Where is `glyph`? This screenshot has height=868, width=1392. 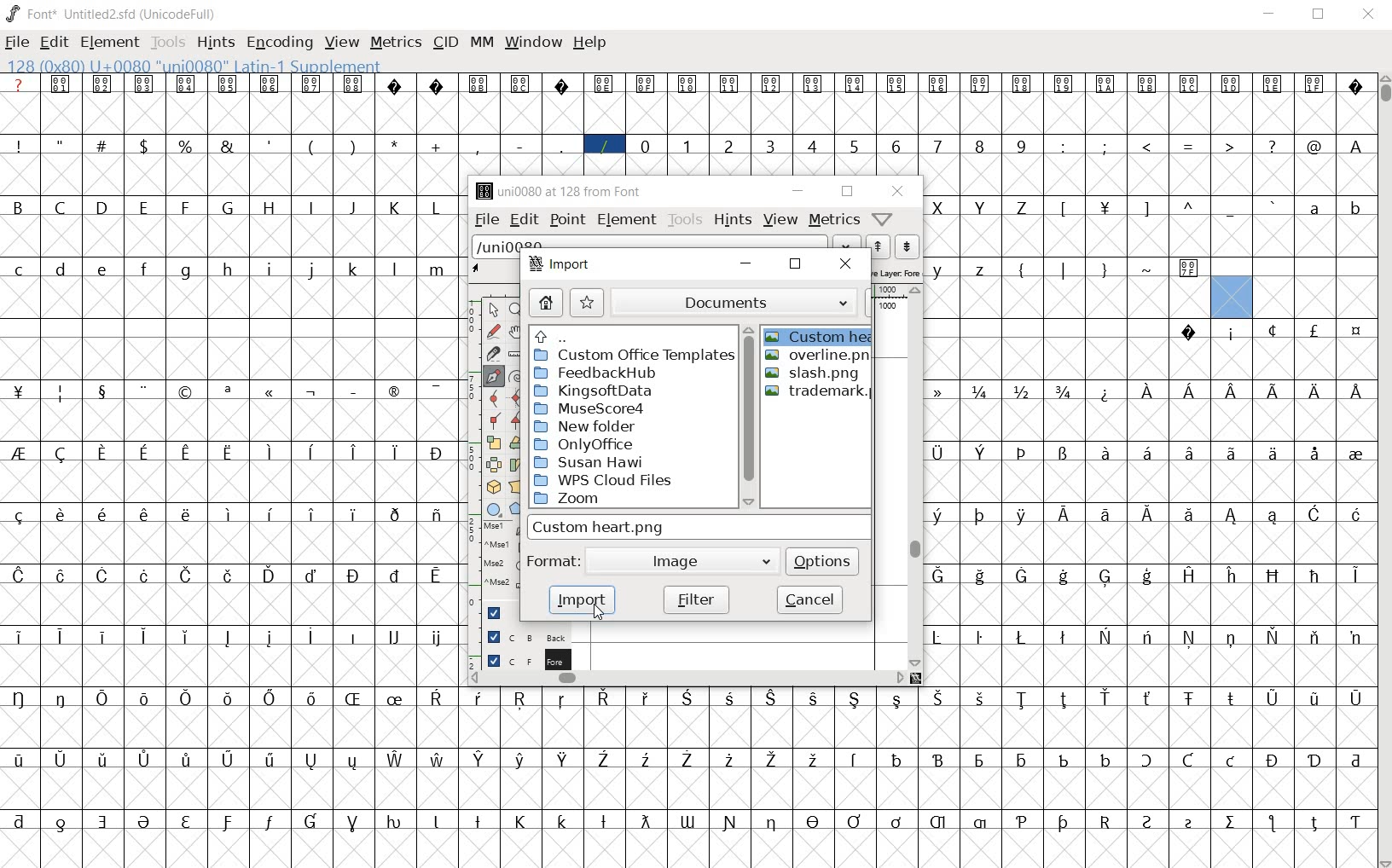 glyph is located at coordinates (187, 514).